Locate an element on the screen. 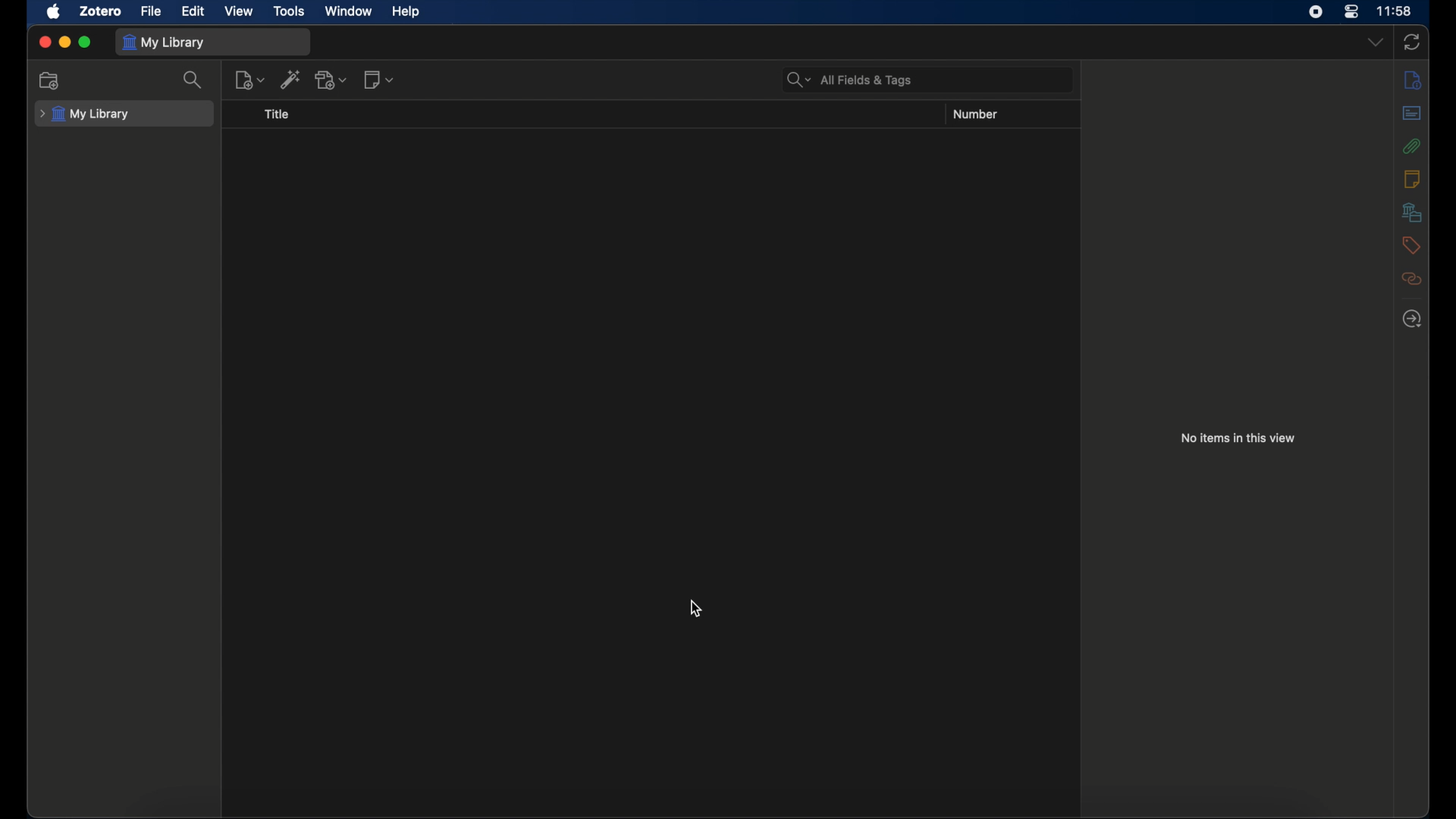  zotero is located at coordinates (100, 11).